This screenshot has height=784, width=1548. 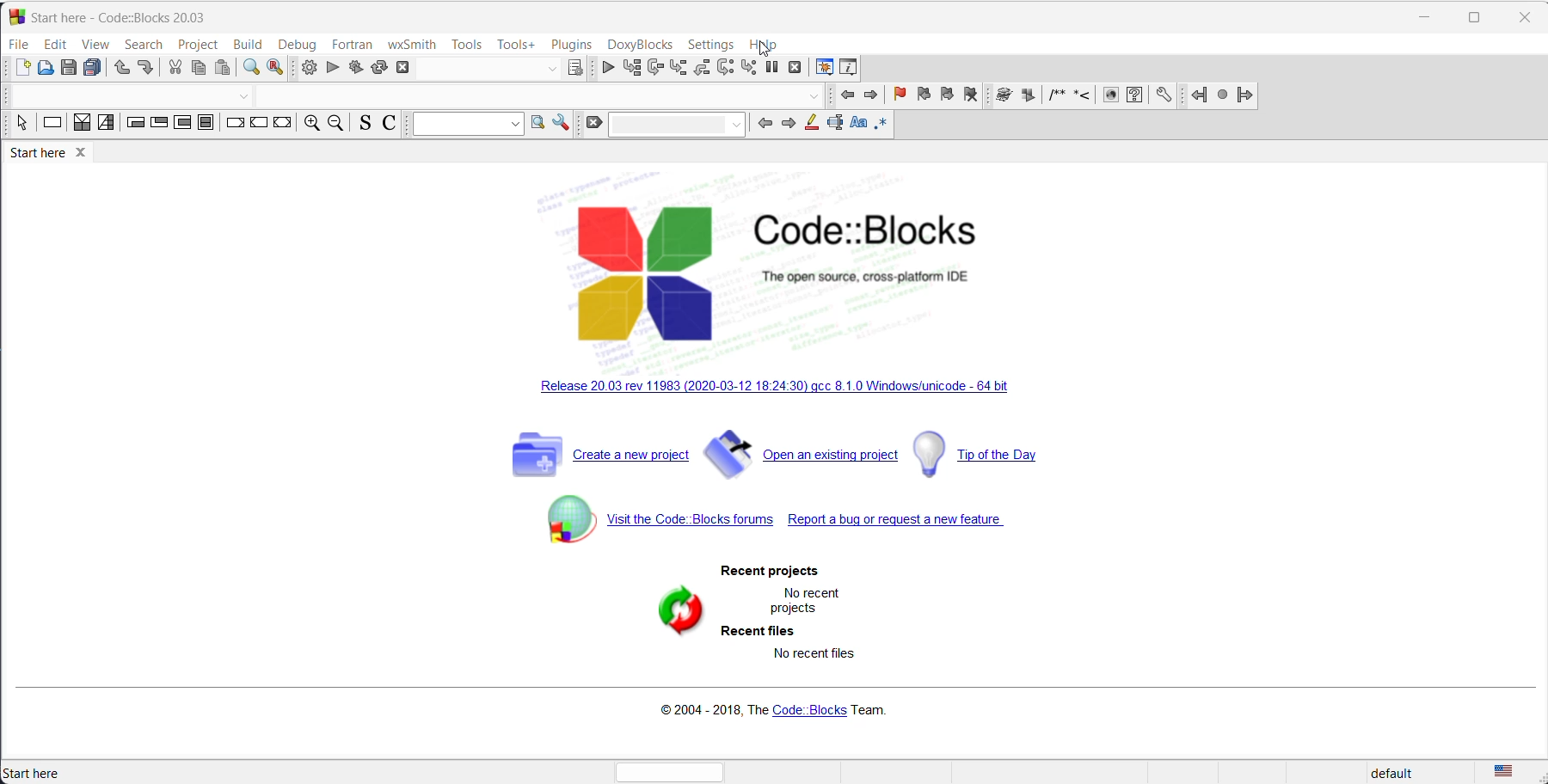 I want to click on match case, so click(x=857, y=123).